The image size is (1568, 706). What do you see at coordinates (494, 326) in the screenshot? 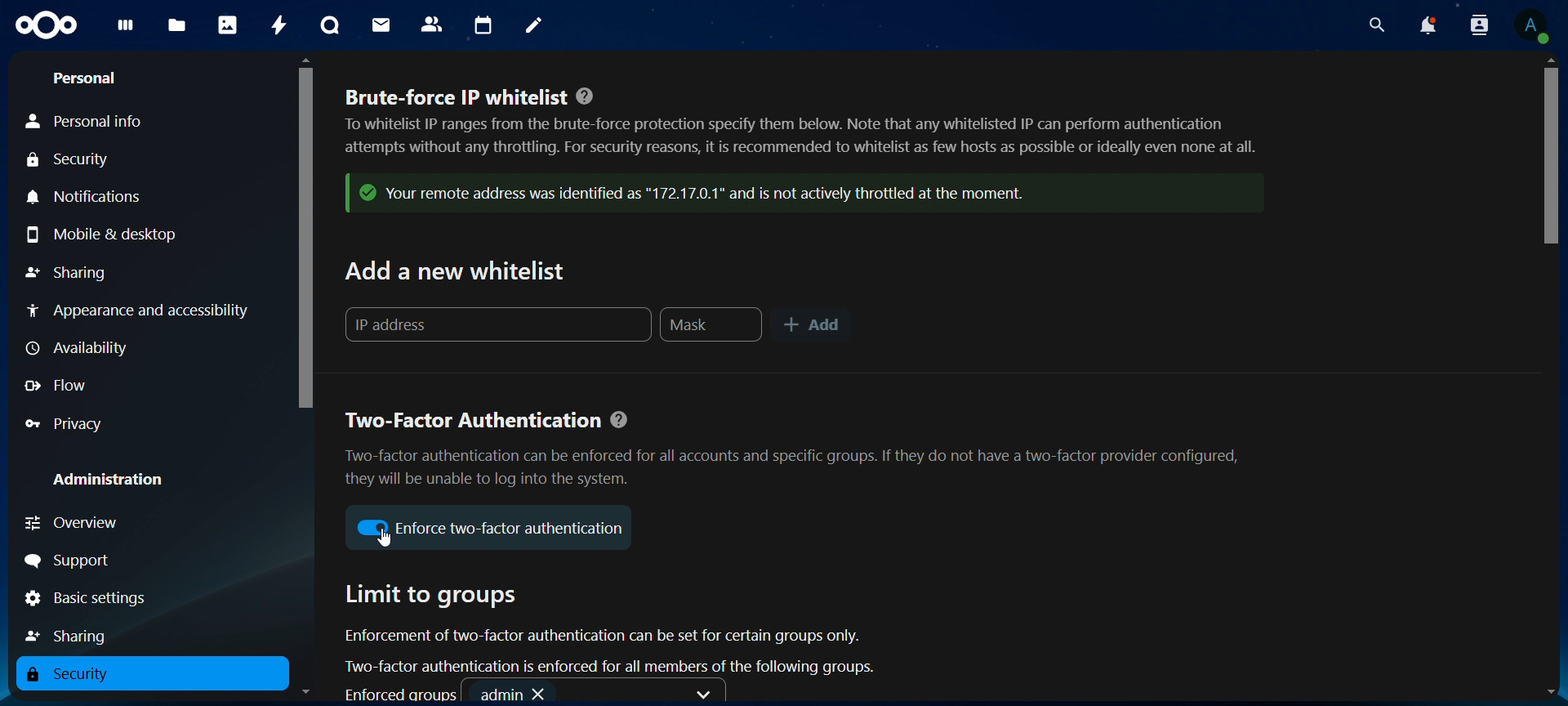
I see `IP address` at bounding box center [494, 326].